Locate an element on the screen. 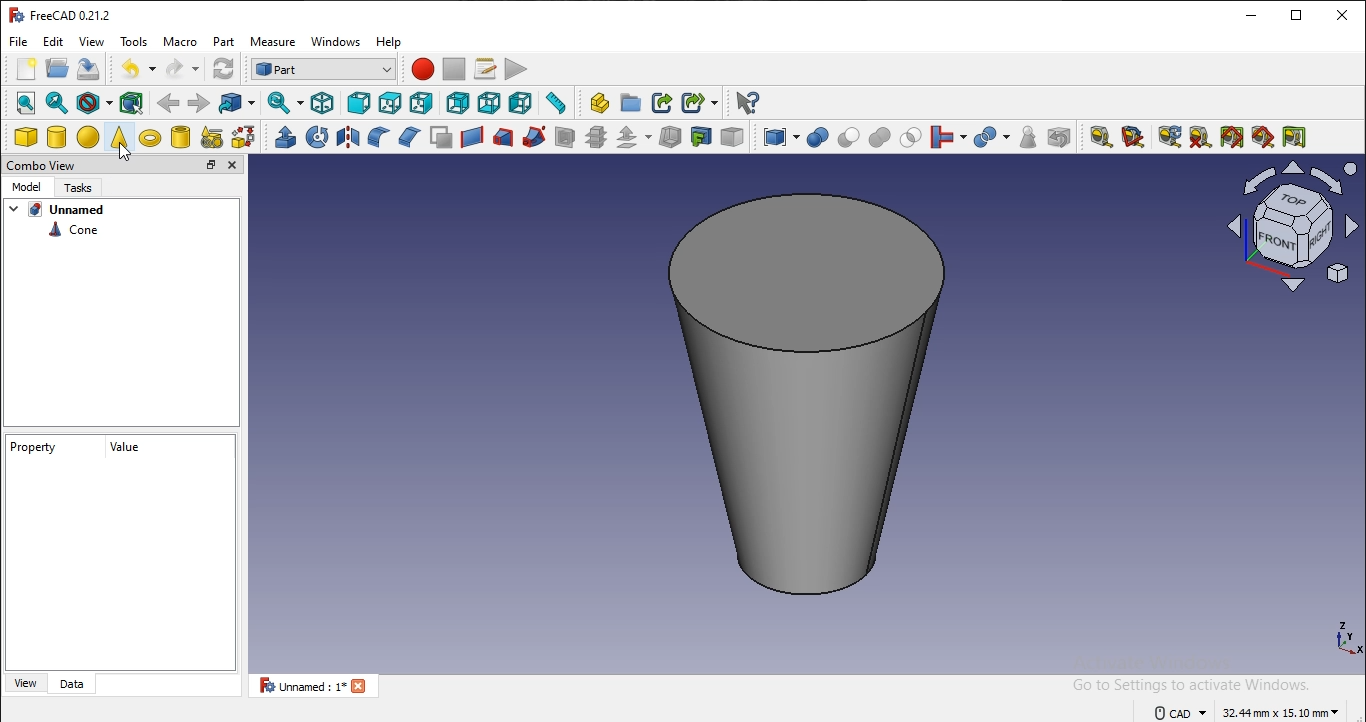 The width and height of the screenshot is (1366, 722). unnamed is located at coordinates (312, 686).